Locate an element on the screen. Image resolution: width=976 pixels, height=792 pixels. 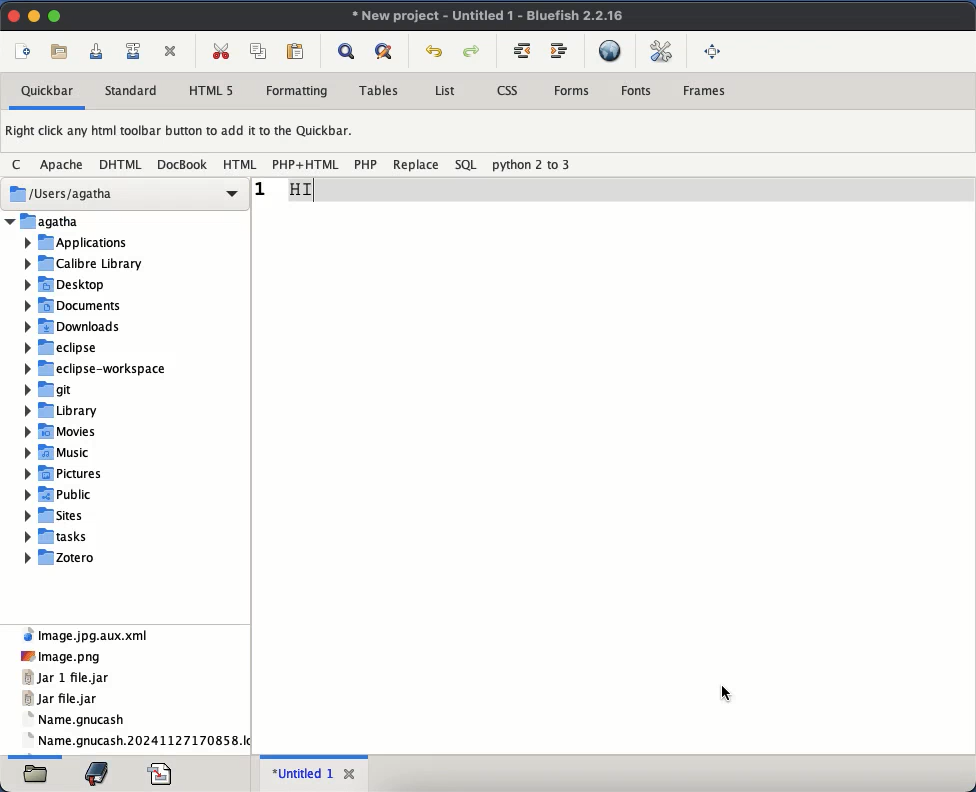
copy is located at coordinates (258, 51).